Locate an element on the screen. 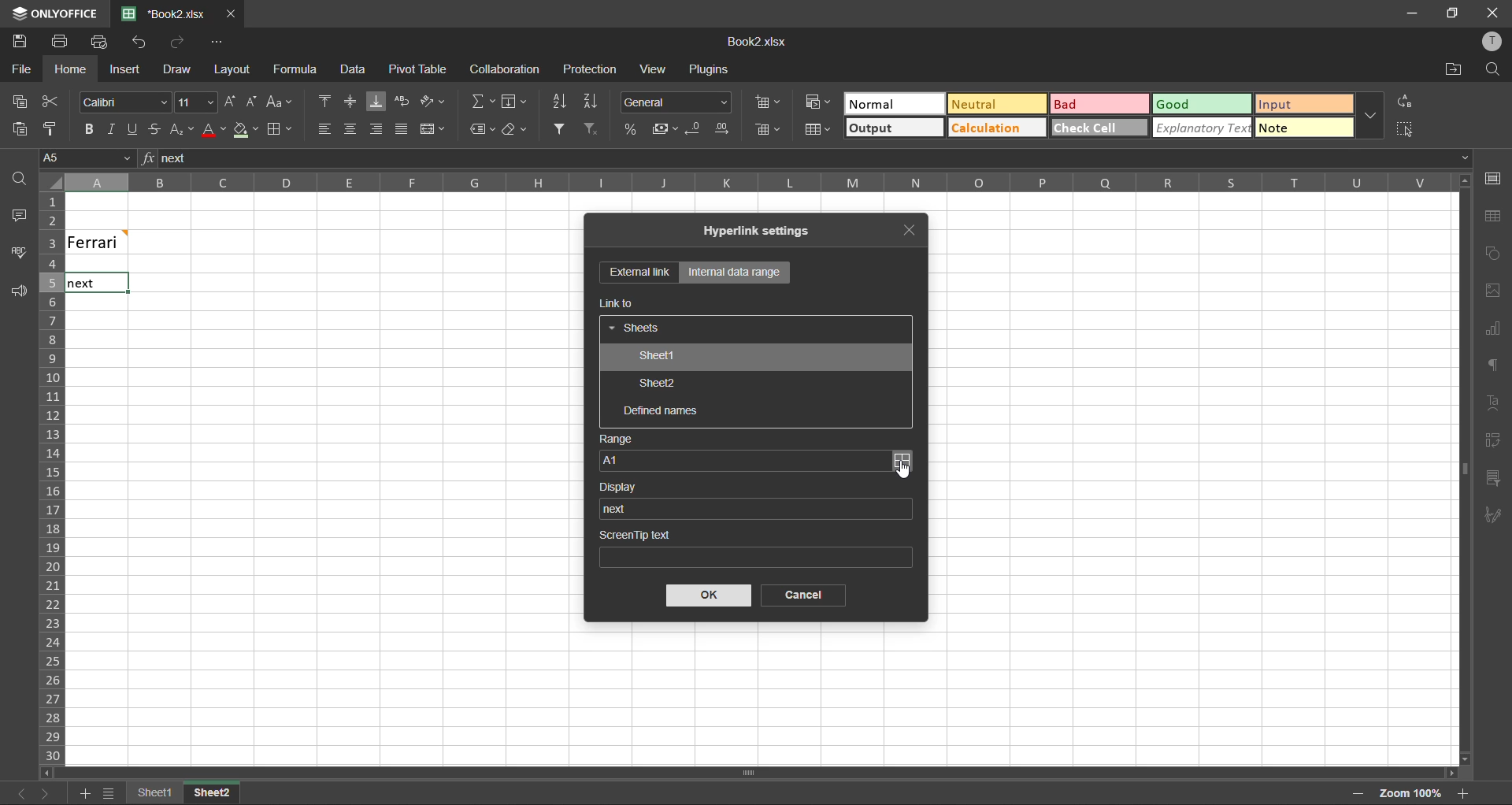  strikethrough is located at coordinates (154, 130).